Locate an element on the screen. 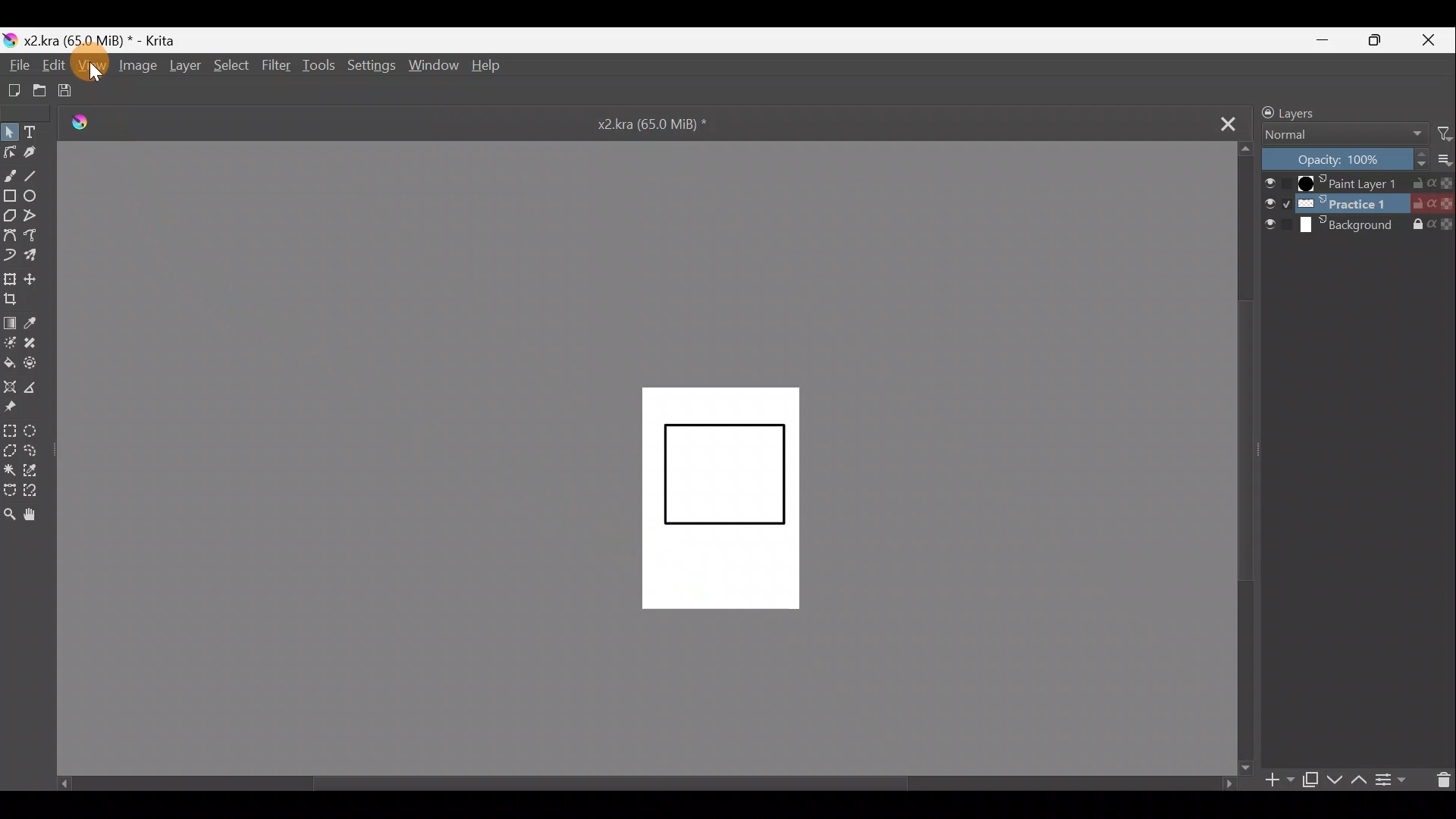 Image resolution: width=1456 pixels, height=819 pixels. Canvas is located at coordinates (740, 498).